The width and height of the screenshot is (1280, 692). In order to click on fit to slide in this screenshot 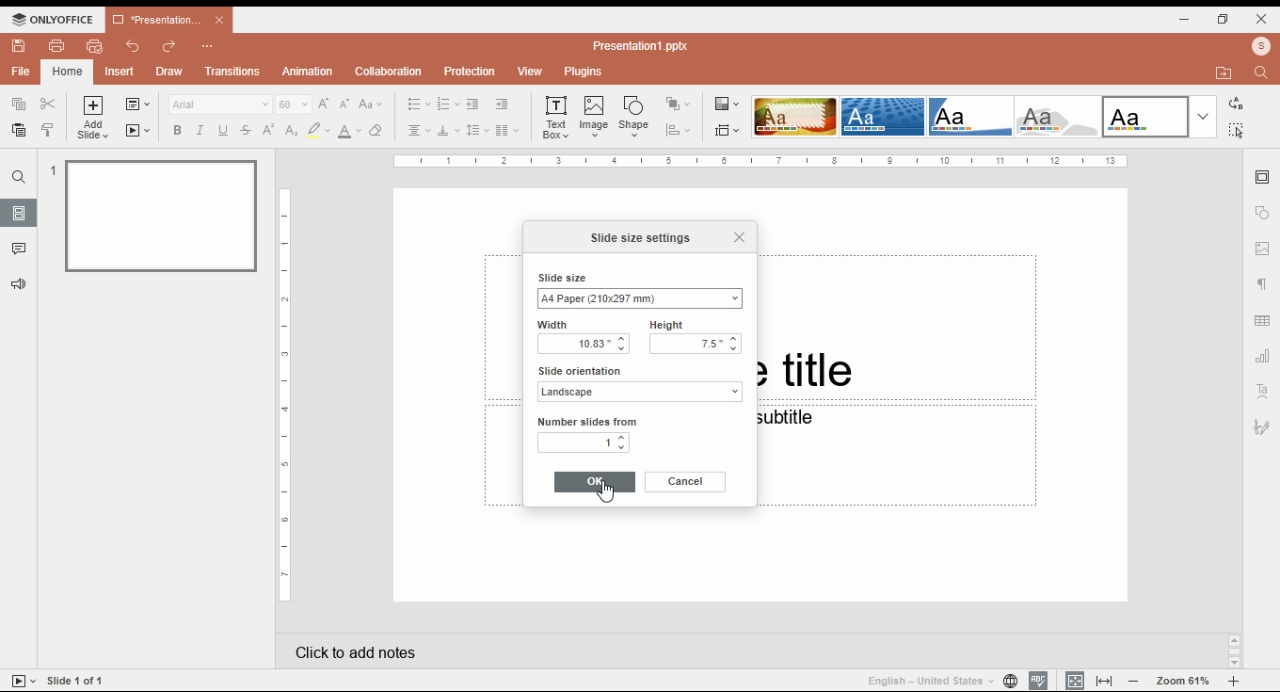, I will do `click(1075, 680)`.